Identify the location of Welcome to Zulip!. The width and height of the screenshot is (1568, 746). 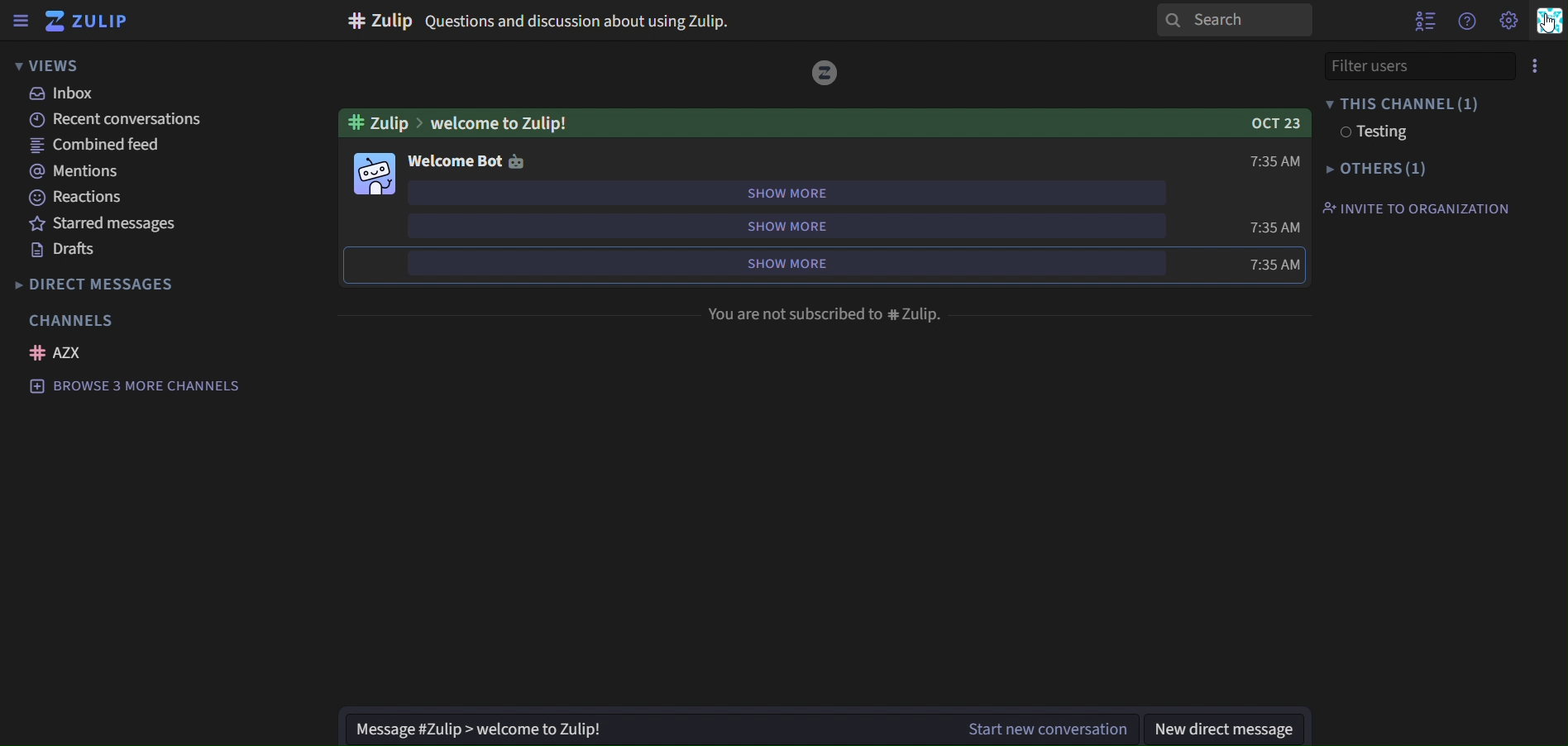
(495, 122).